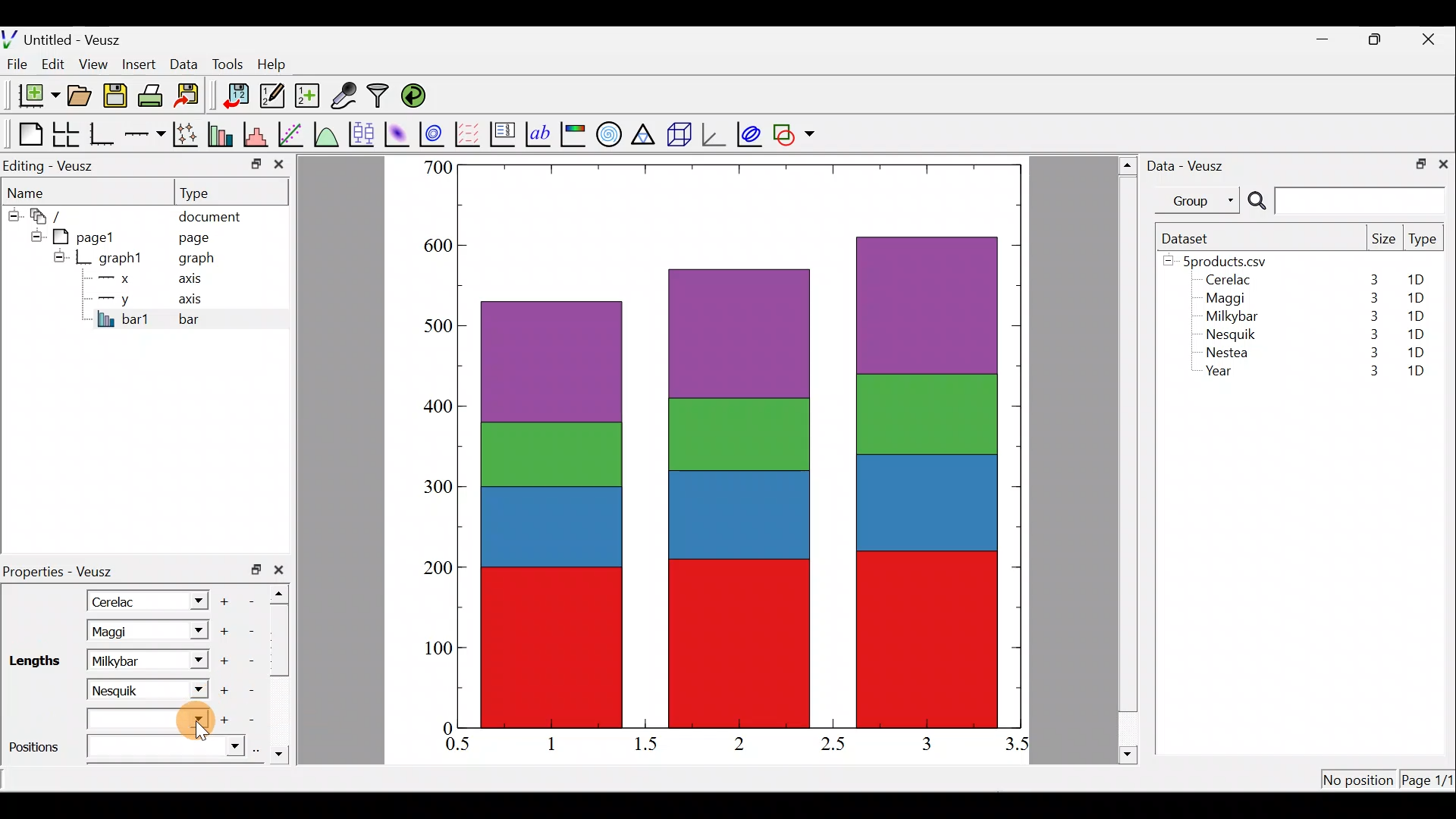  I want to click on Tools, so click(227, 63).